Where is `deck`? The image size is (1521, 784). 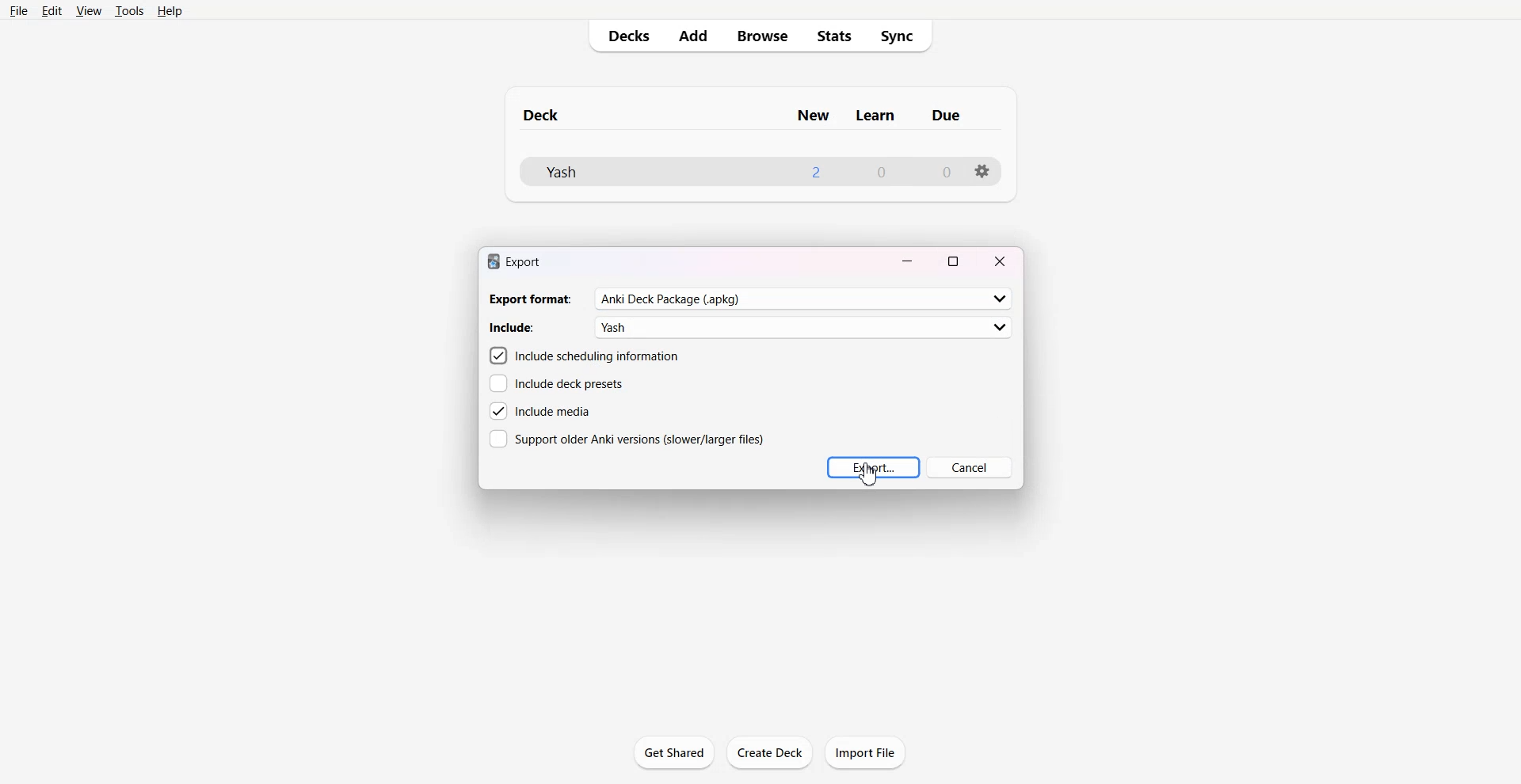 deck is located at coordinates (556, 113).